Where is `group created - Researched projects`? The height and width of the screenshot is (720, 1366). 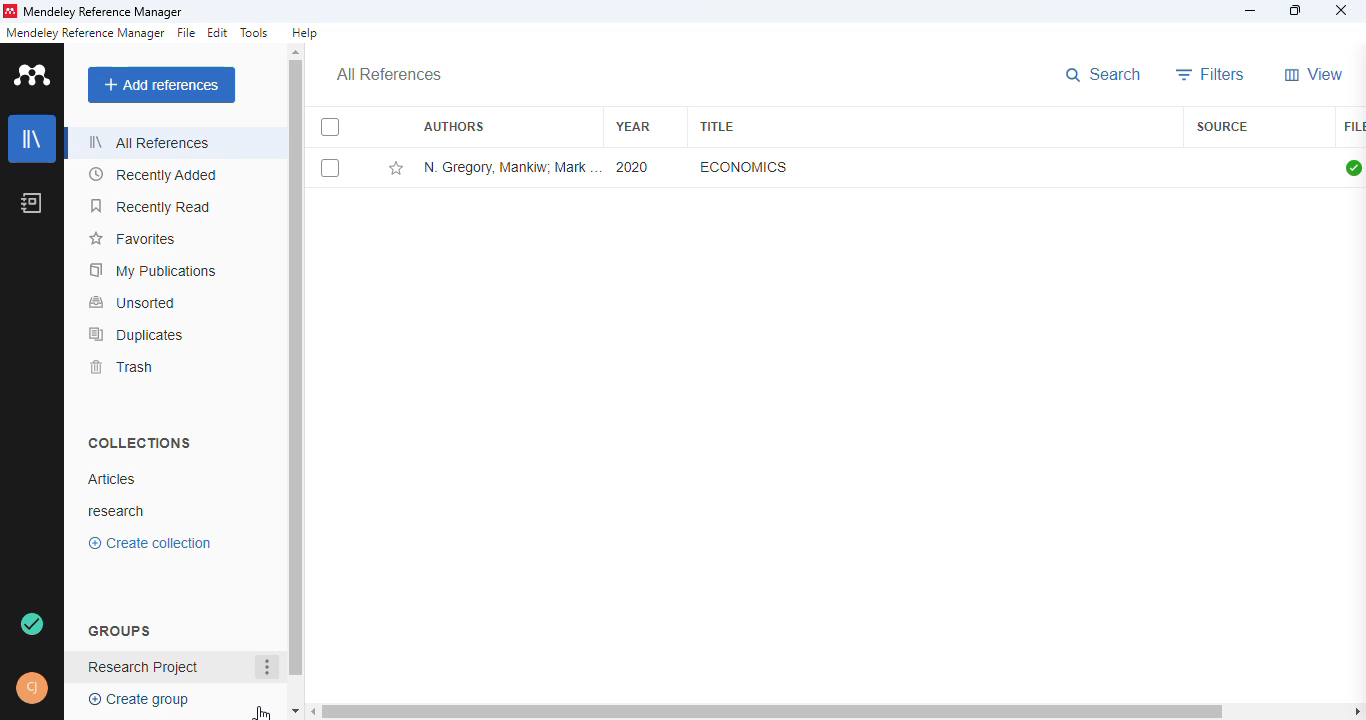 group created - Researched projects is located at coordinates (146, 667).